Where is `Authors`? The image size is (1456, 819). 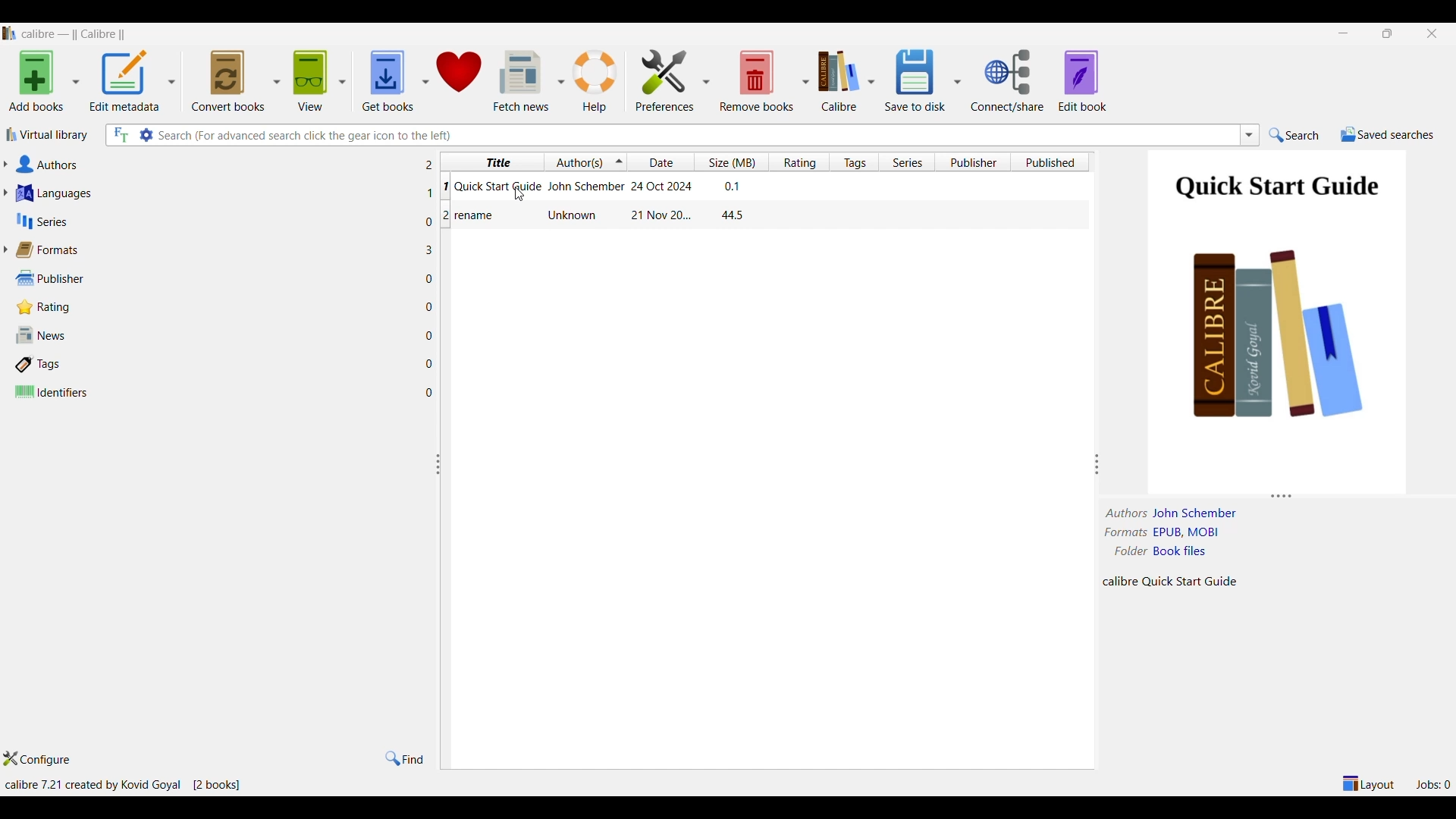 Authors is located at coordinates (213, 164).